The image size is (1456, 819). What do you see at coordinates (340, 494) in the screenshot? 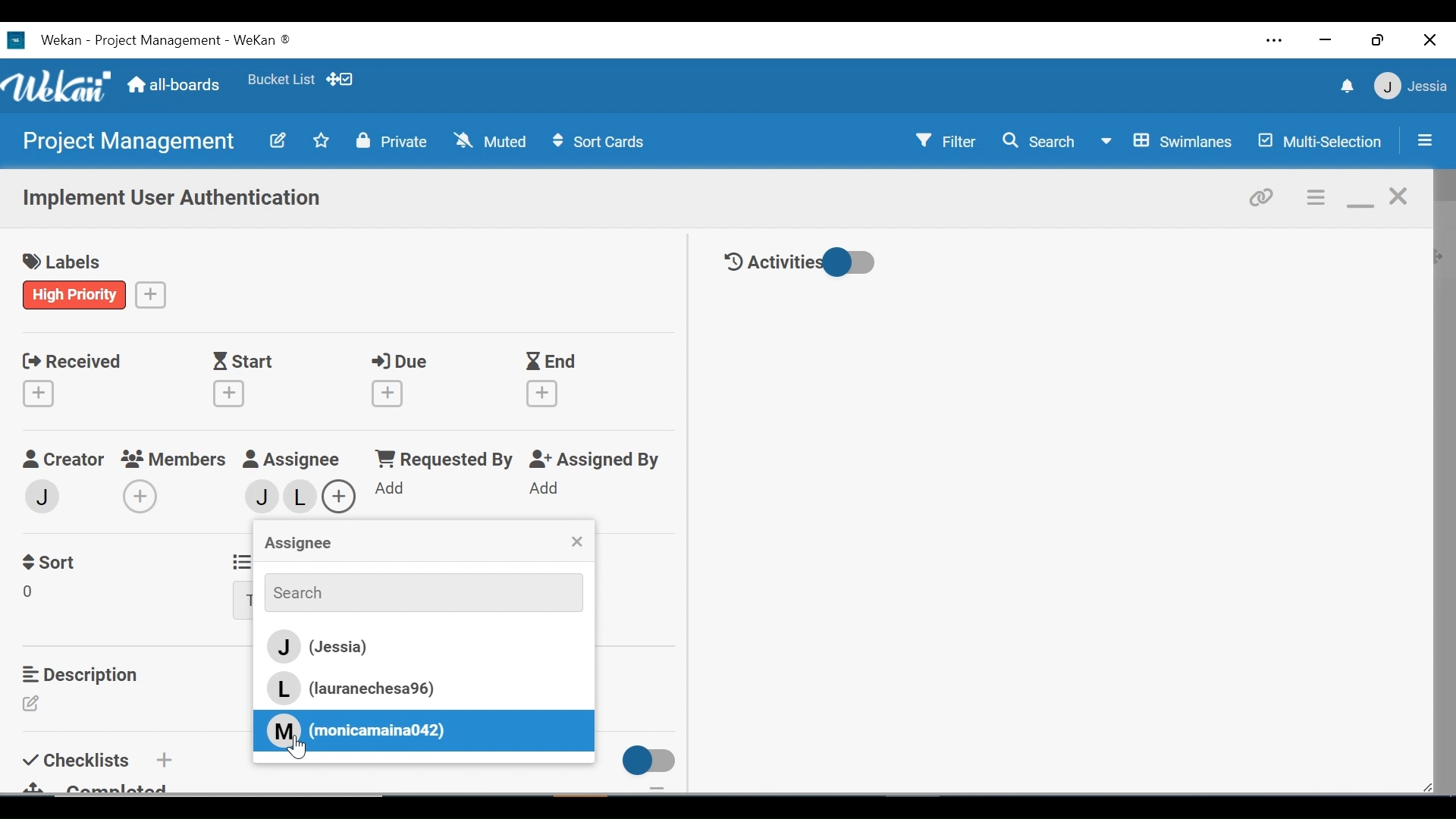
I see `Add Assignee` at bounding box center [340, 494].